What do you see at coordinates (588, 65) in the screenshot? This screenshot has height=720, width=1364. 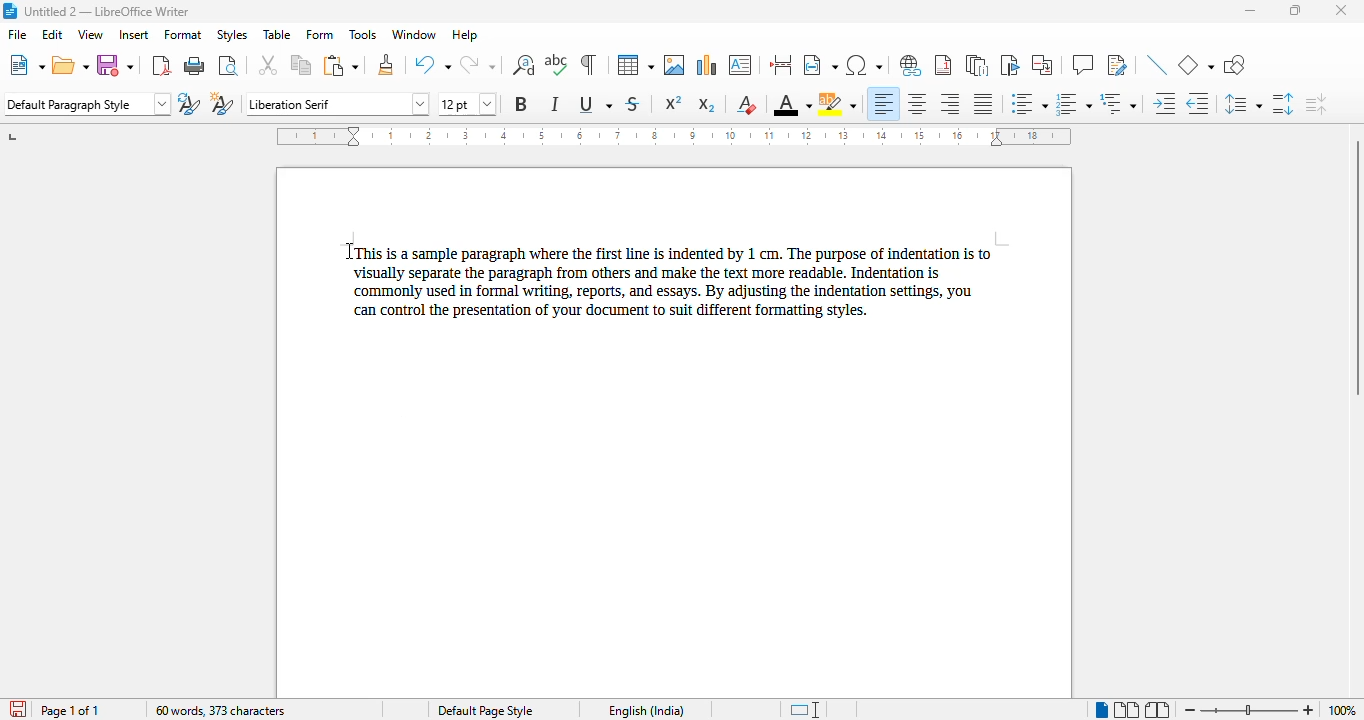 I see `toggle formatting marks` at bounding box center [588, 65].